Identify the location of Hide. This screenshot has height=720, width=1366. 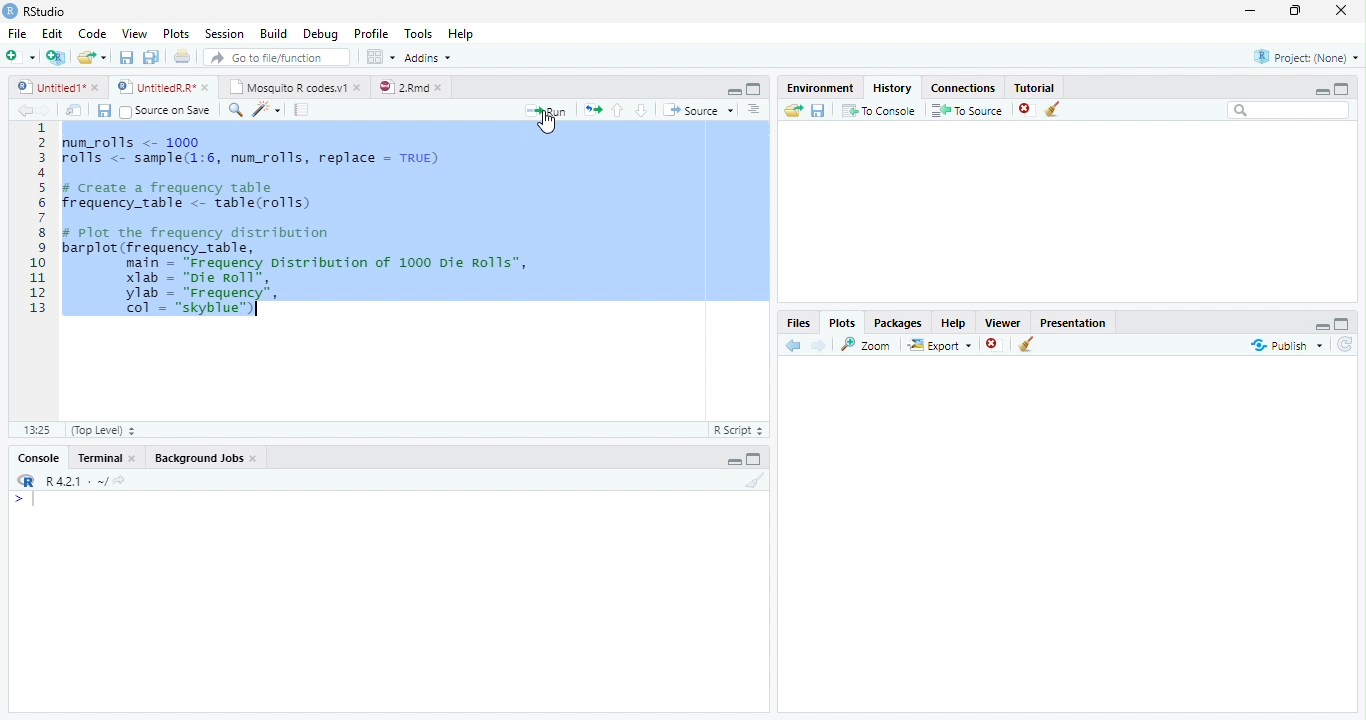
(1322, 327).